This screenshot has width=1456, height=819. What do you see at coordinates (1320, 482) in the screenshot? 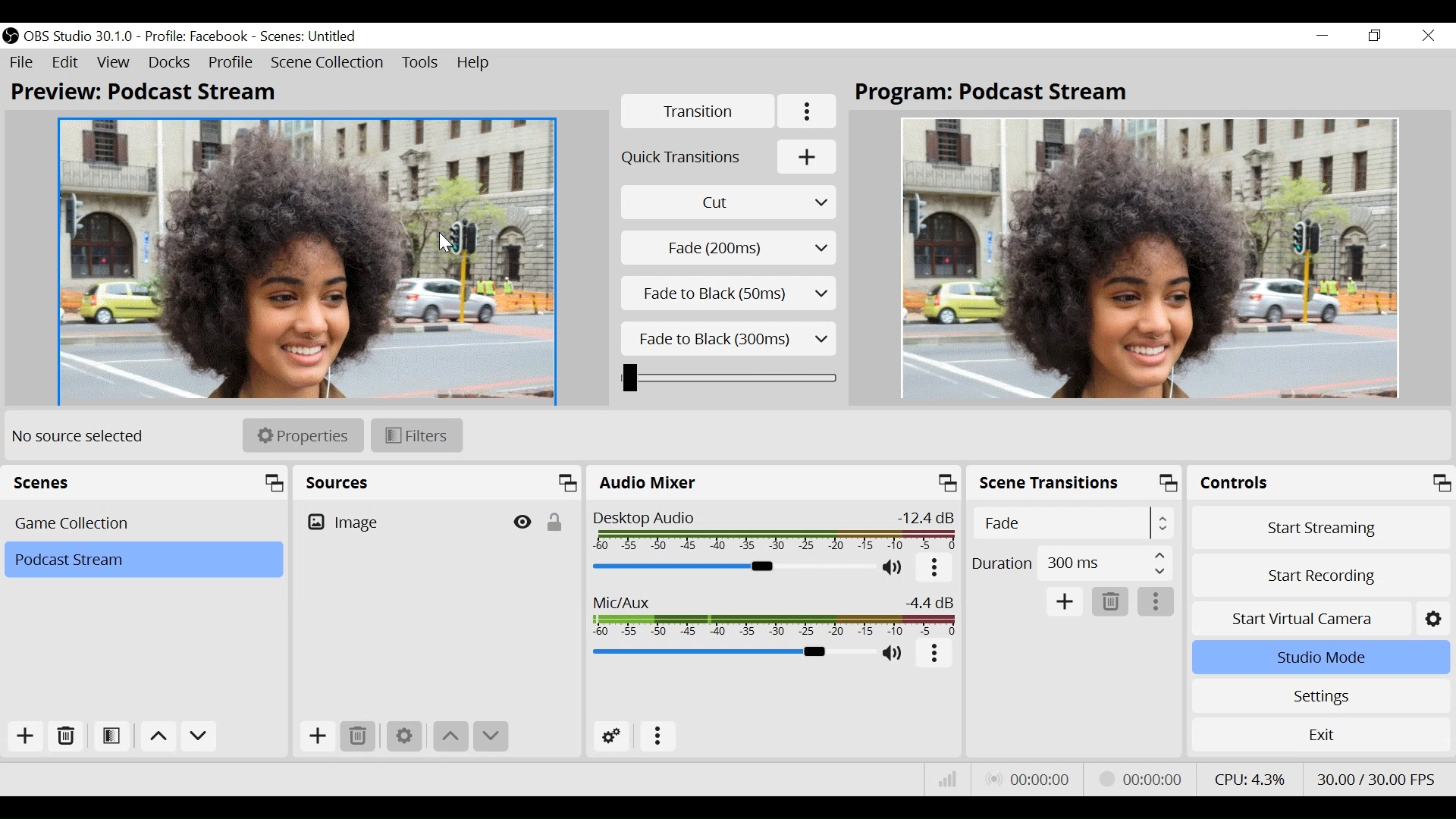
I see `Controls` at bounding box center [1320, 482].